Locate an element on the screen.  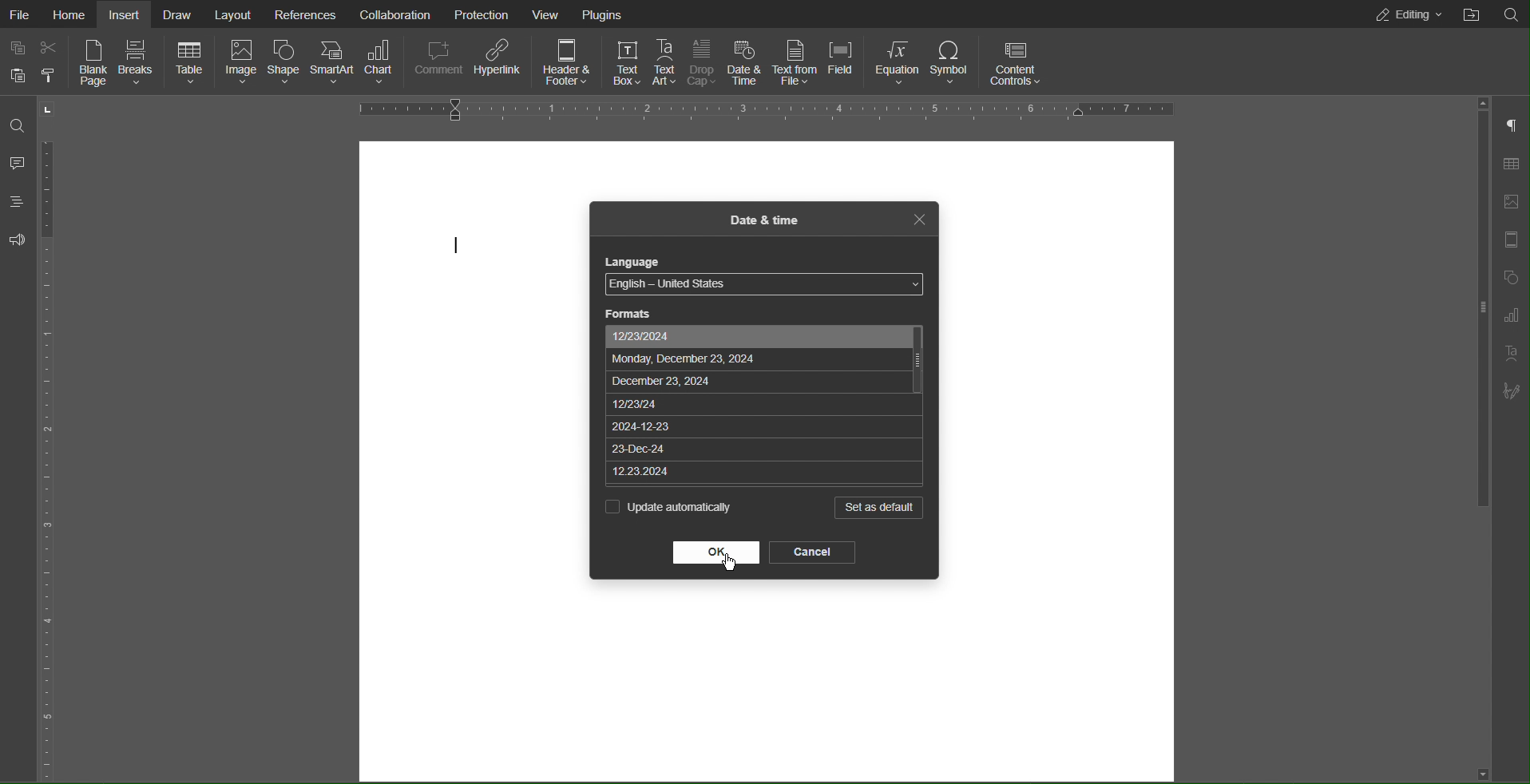
19/9904 is located at coordinates (759, 399).